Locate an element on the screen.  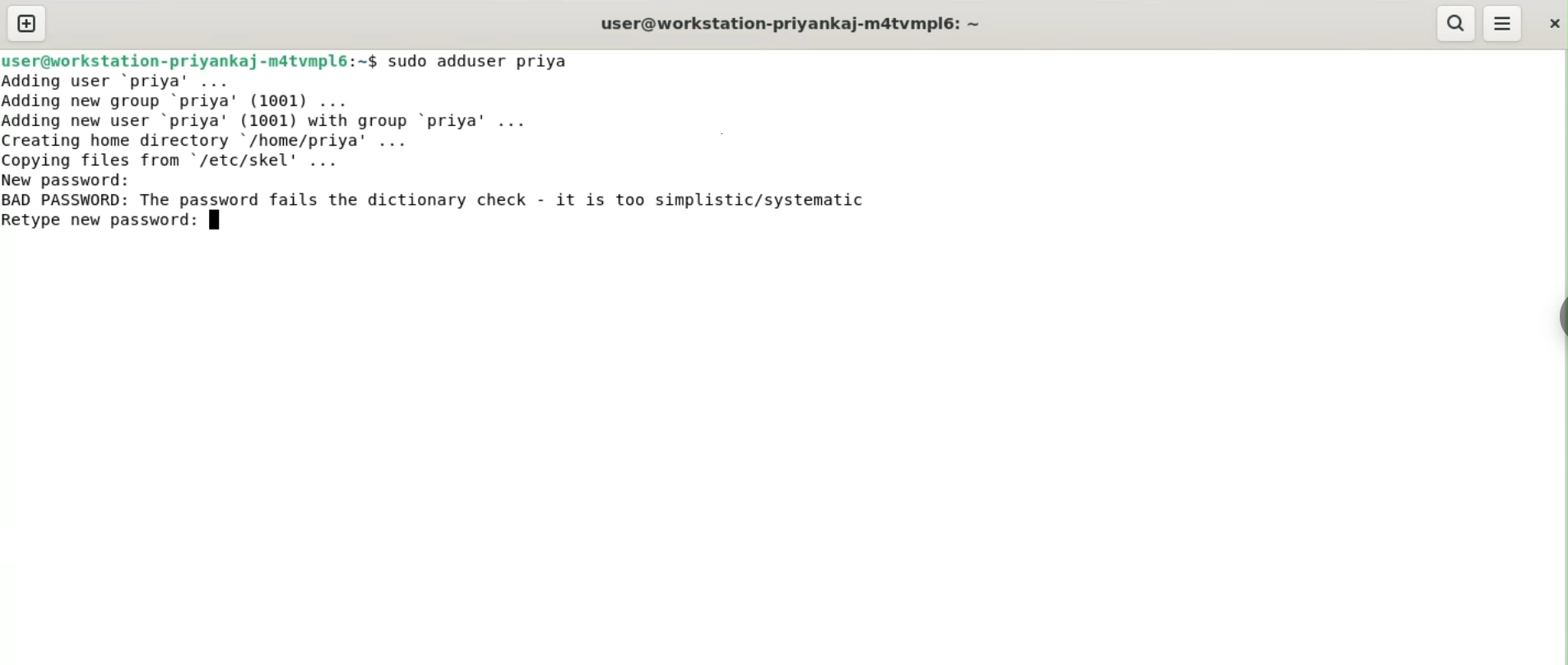
new password is located at coordinates (79, 179).